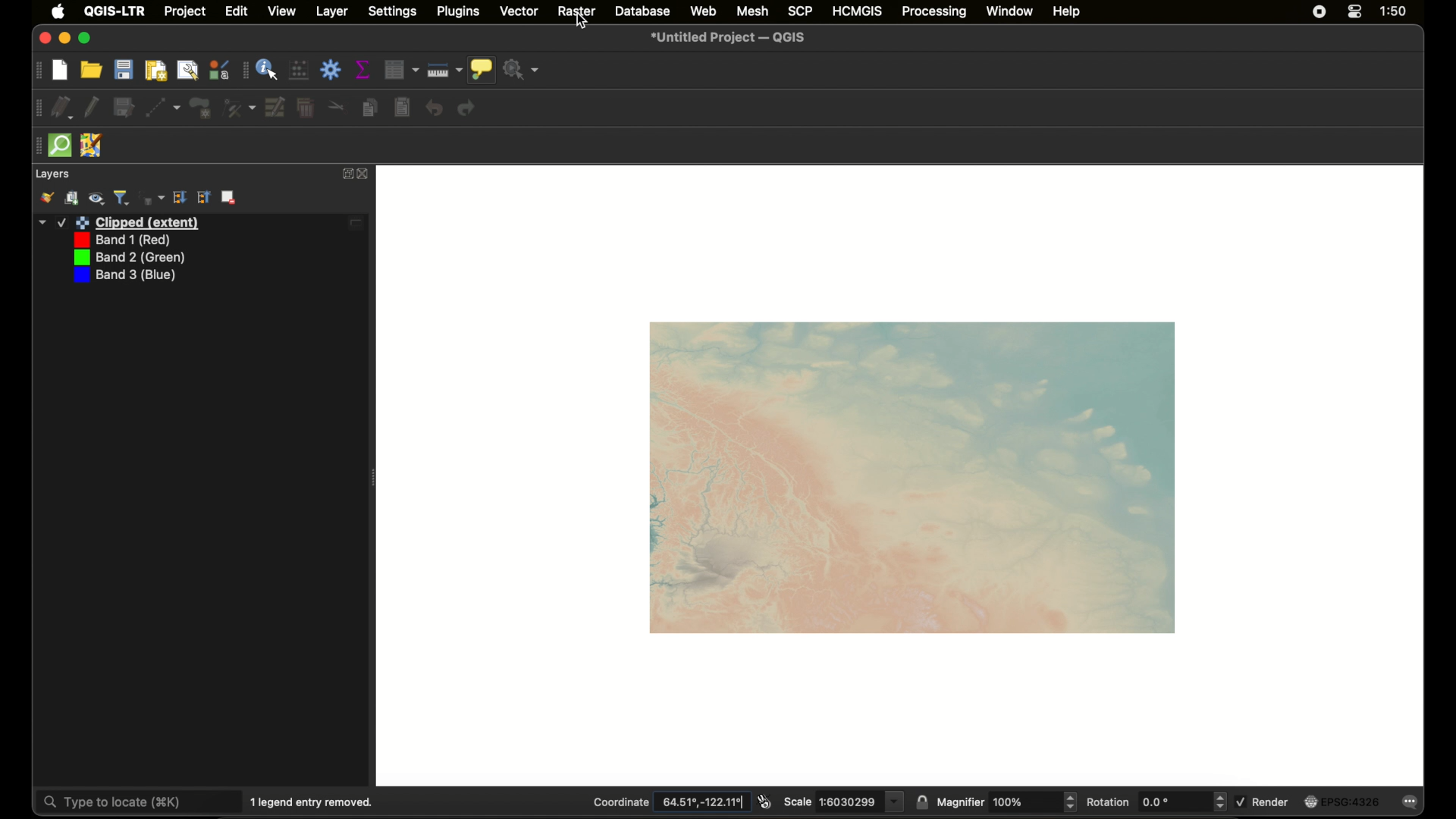 The width and height of the screenshot is (1456, 819). Describe the element at coordinates (86, 39) in the screenshot. I see `maximize` at that location.